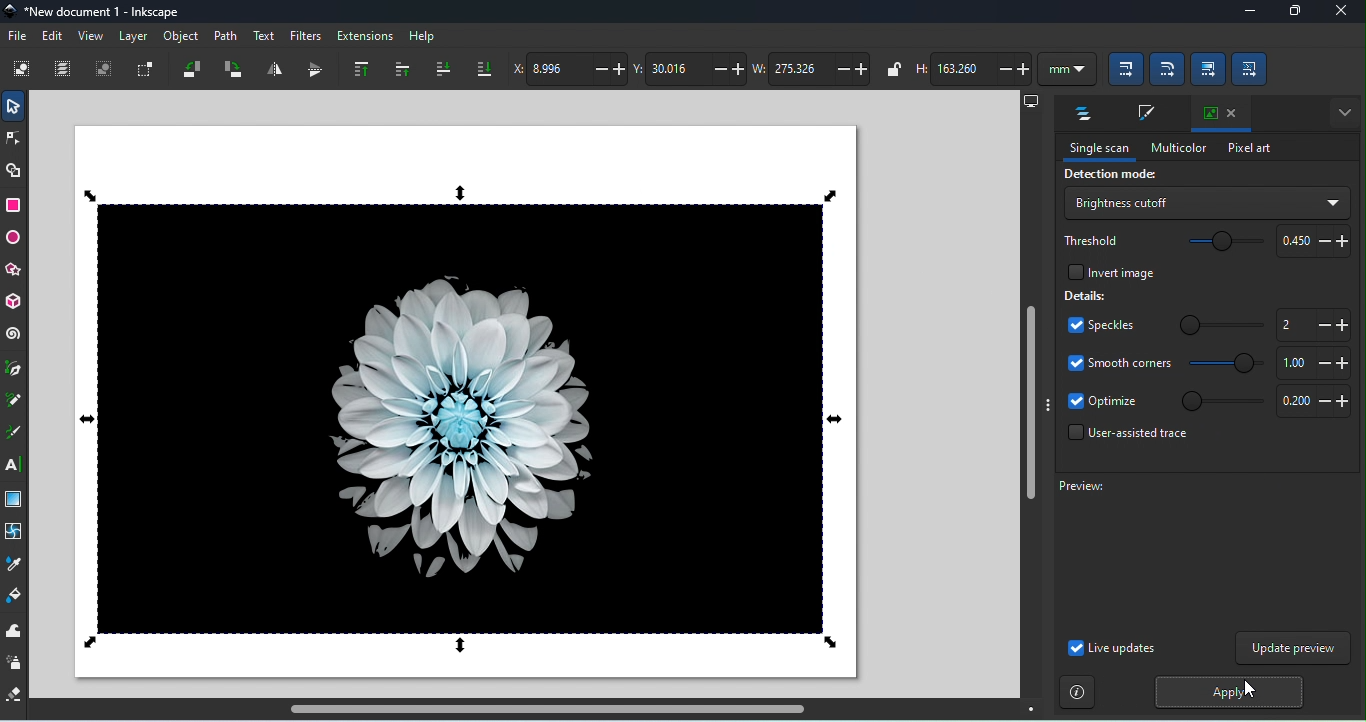 The image size is (1366, 722). Describe the element at coordinates (15, 370) in the screenshot. I see `Pen tool` at that location.